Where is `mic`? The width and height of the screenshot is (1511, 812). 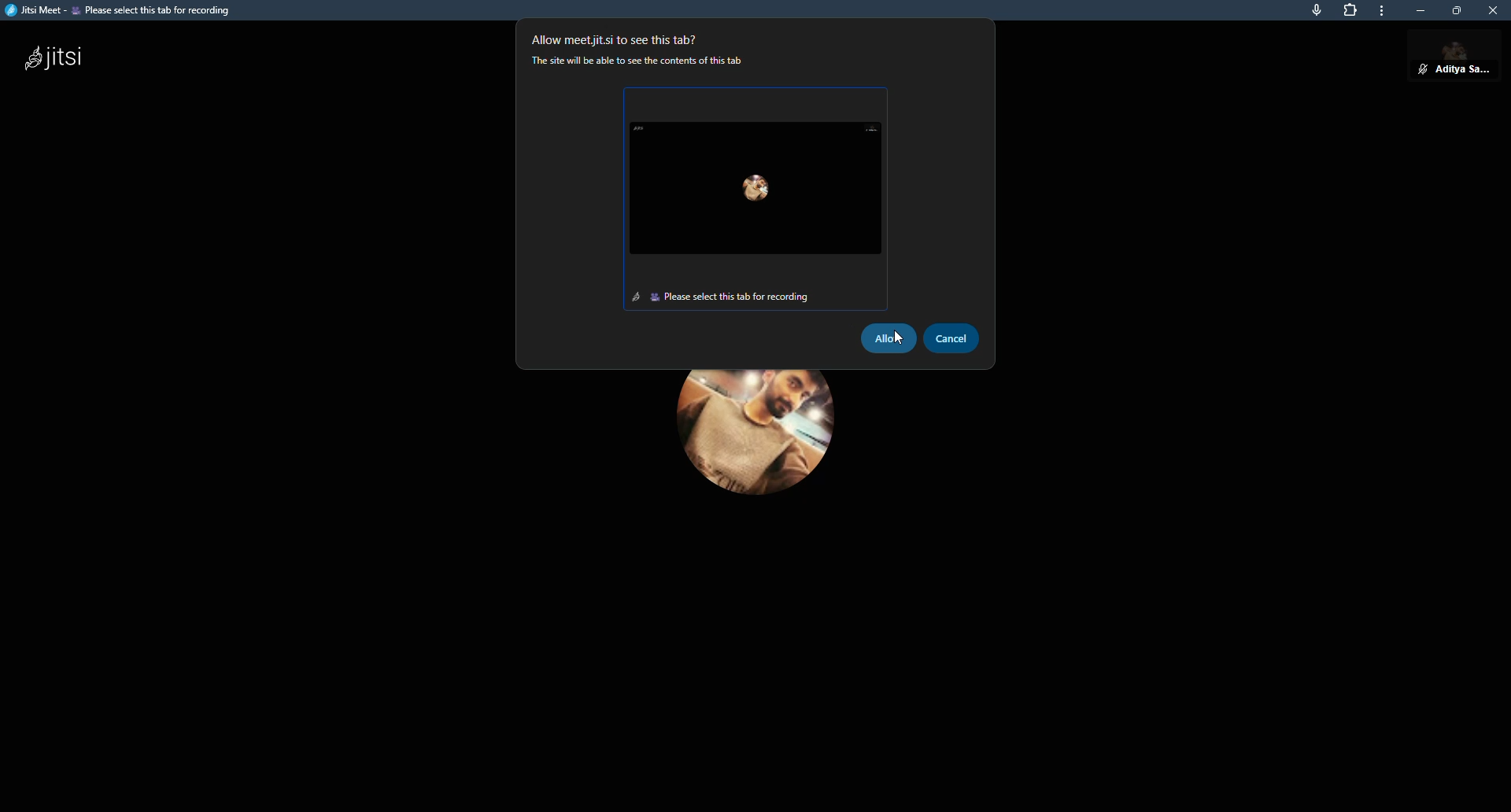 mic is located at coordinates (1315, 10).